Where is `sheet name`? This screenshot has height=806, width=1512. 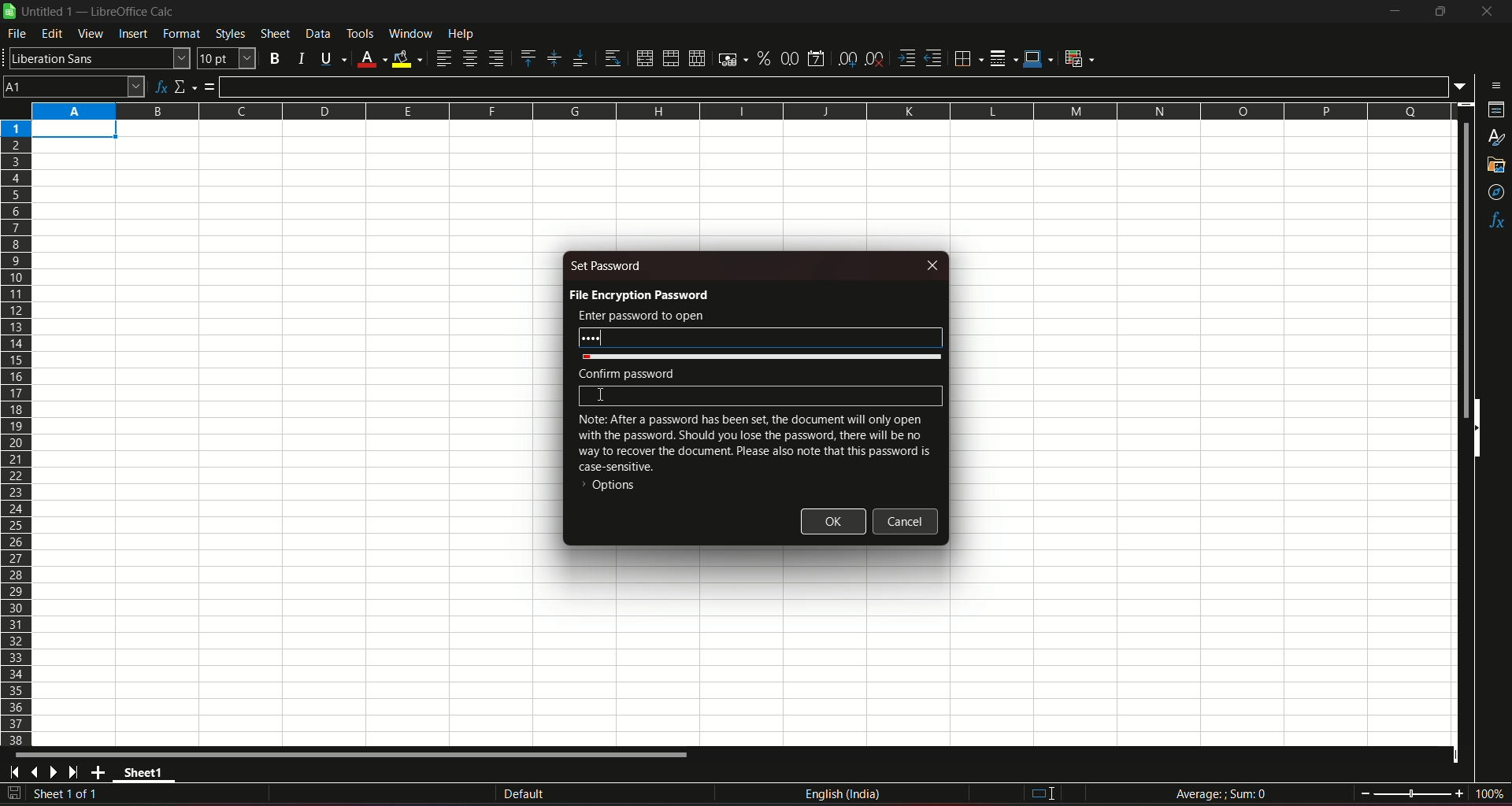
sheet name is located at coordinates (146, 775).